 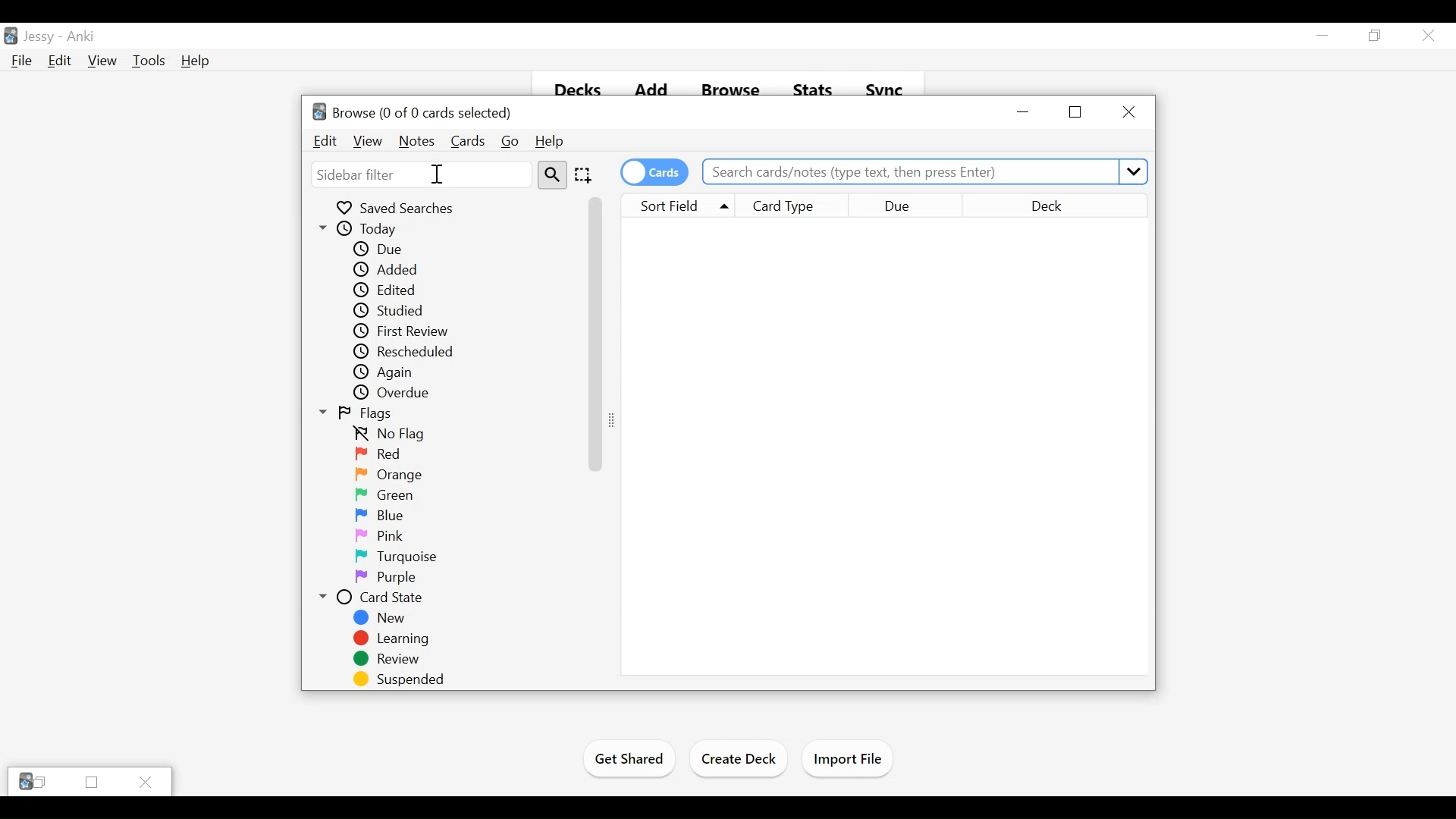 What do you see at coordinates (390, 372) in the screenshot?
I see `Again` at bounding box center [390, 372].